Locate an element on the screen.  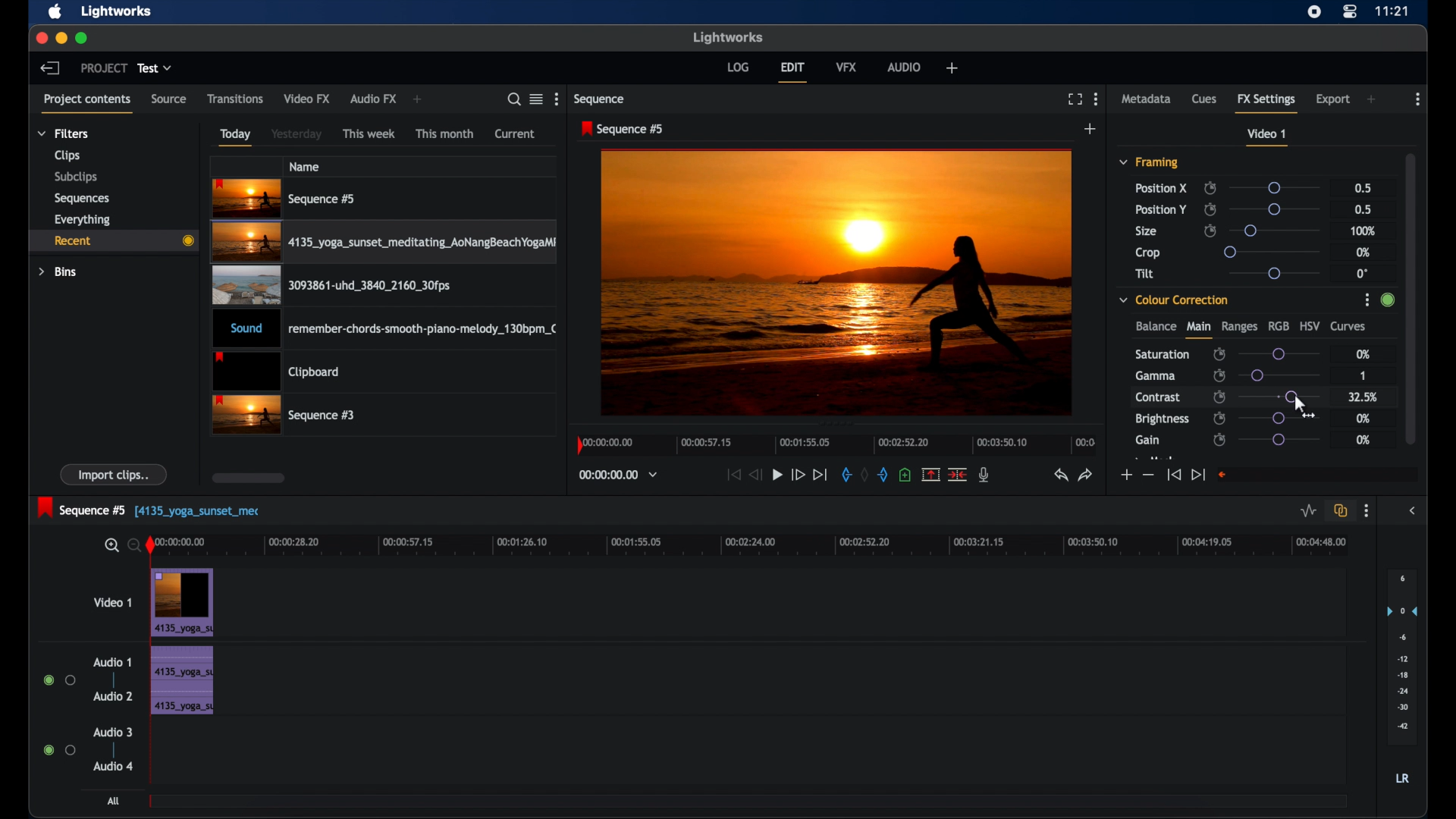
lightworks is located at coordinates (117, 11).